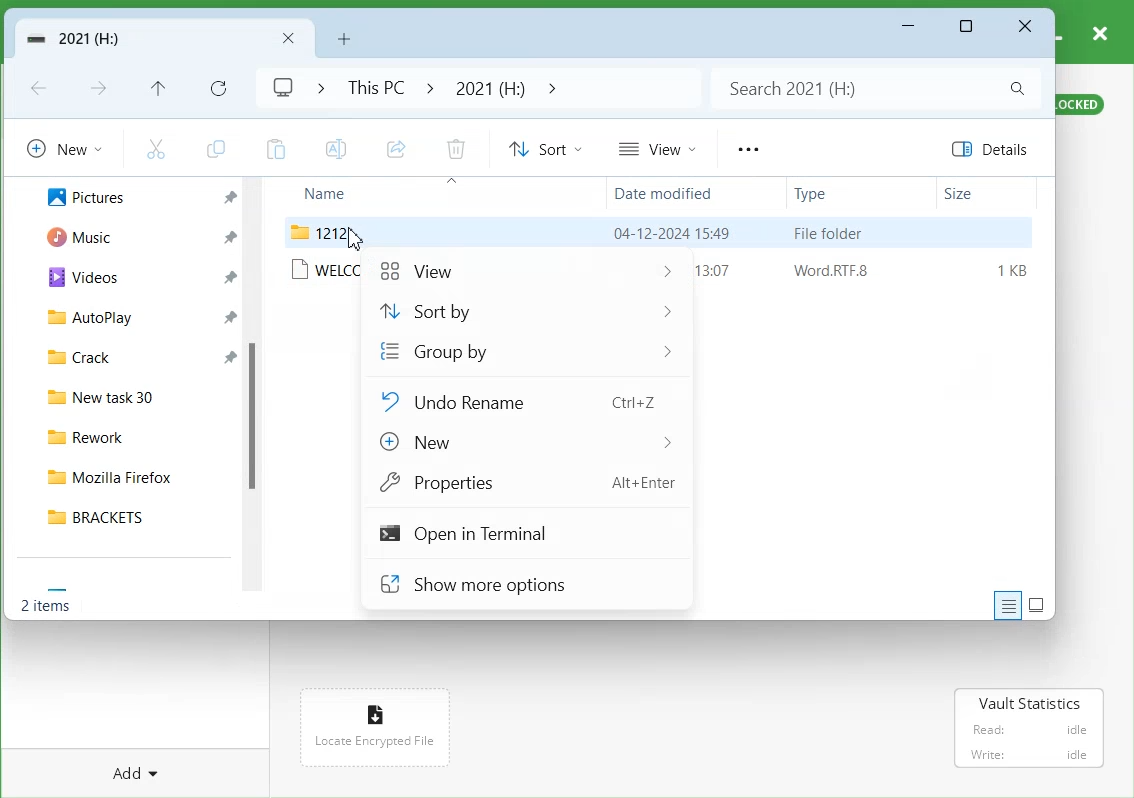 The image size is (1134, 798). What do you see at coordinates (135, 516) in the screenshot?
I see `BRACKETS` at bounding box center [135, 516].